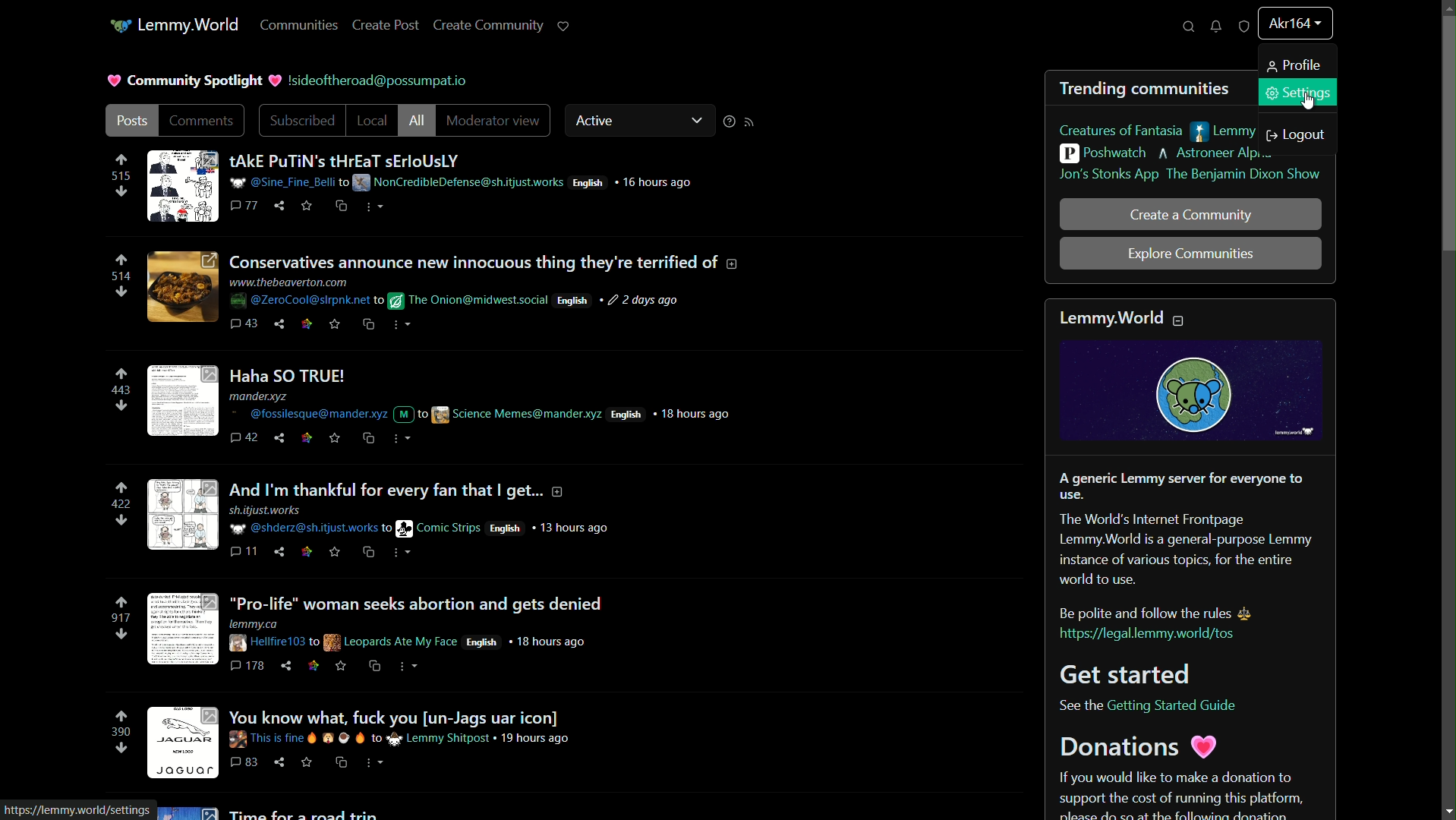 Image resolution: width=1456 pixels, height=820 pixels. I want to click on upvote, so click(121, 489).